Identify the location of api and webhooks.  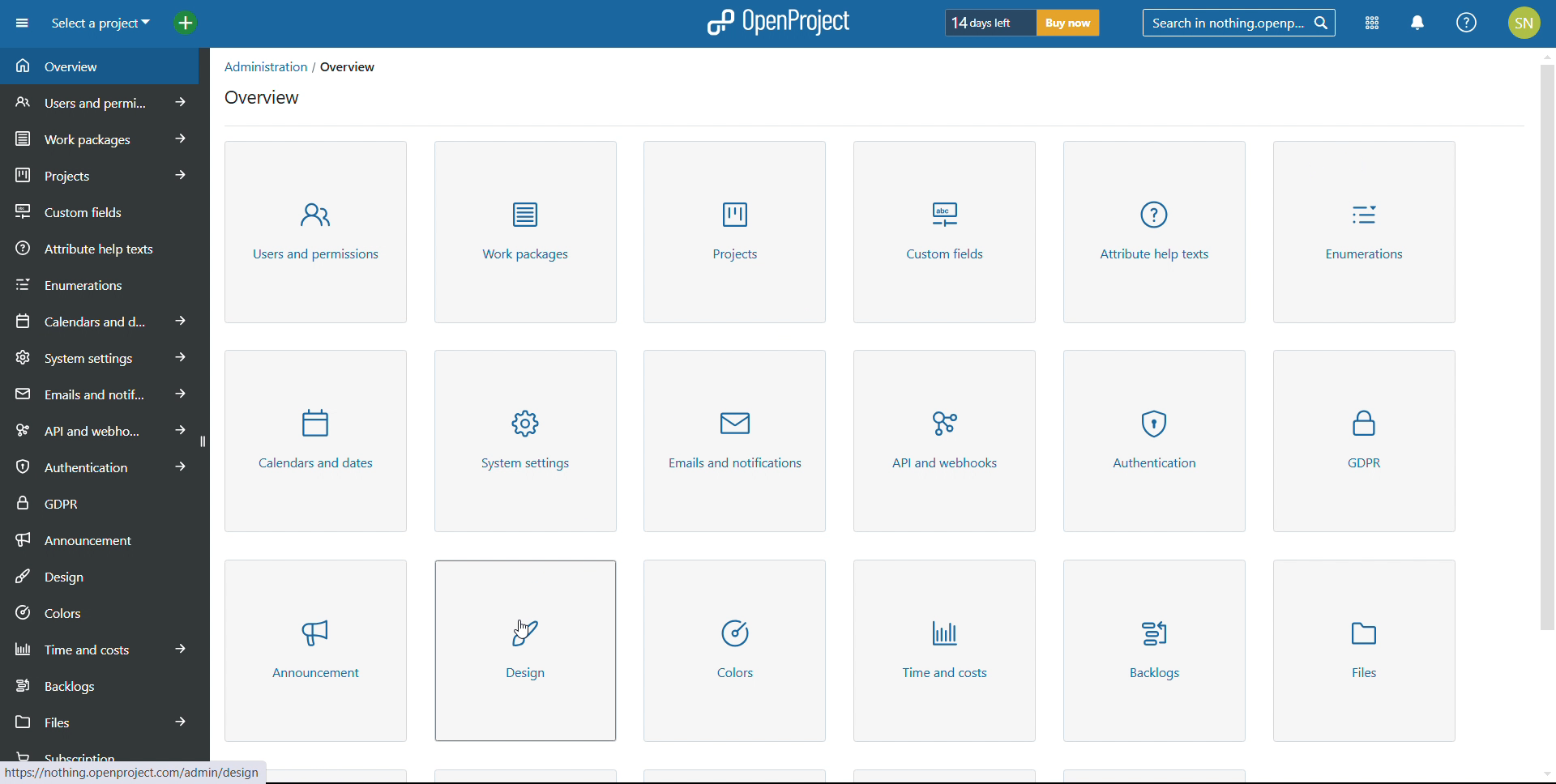
(946, 442).